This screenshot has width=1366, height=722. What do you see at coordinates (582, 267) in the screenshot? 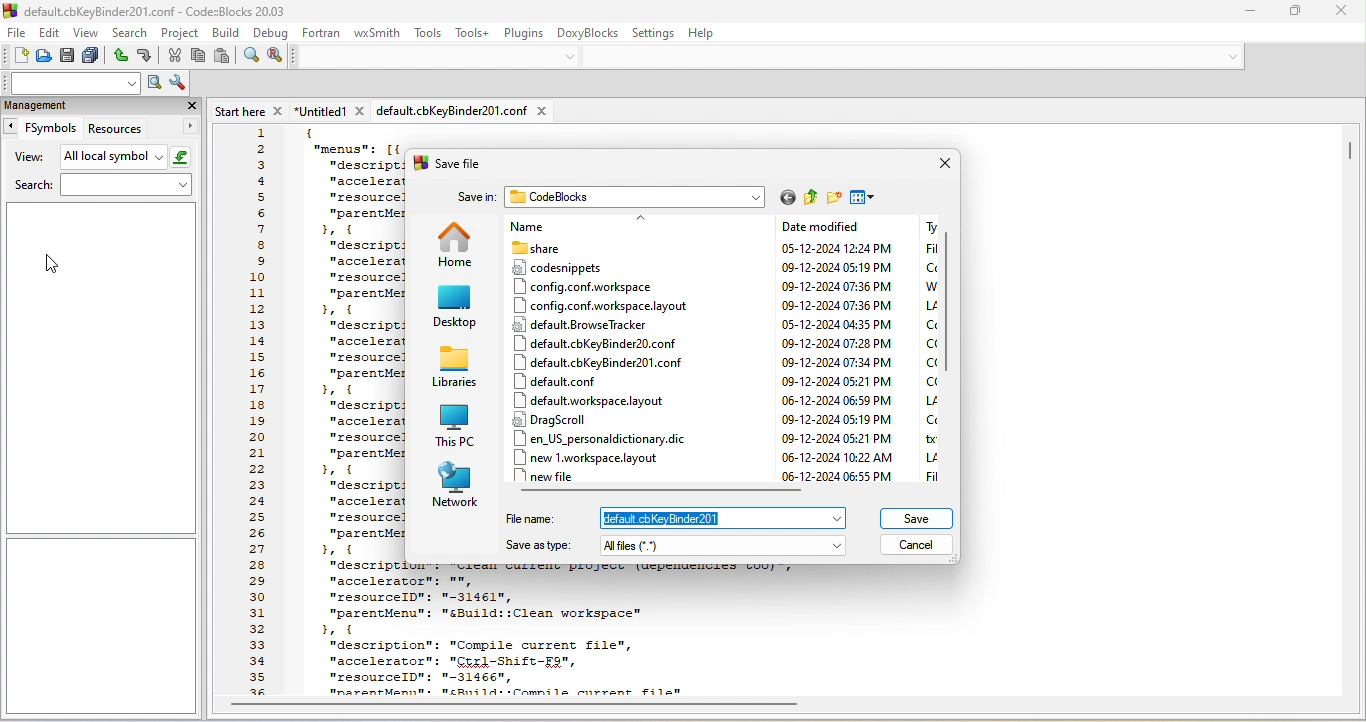
I see `codesnippets` at bounding box center [582, 267].